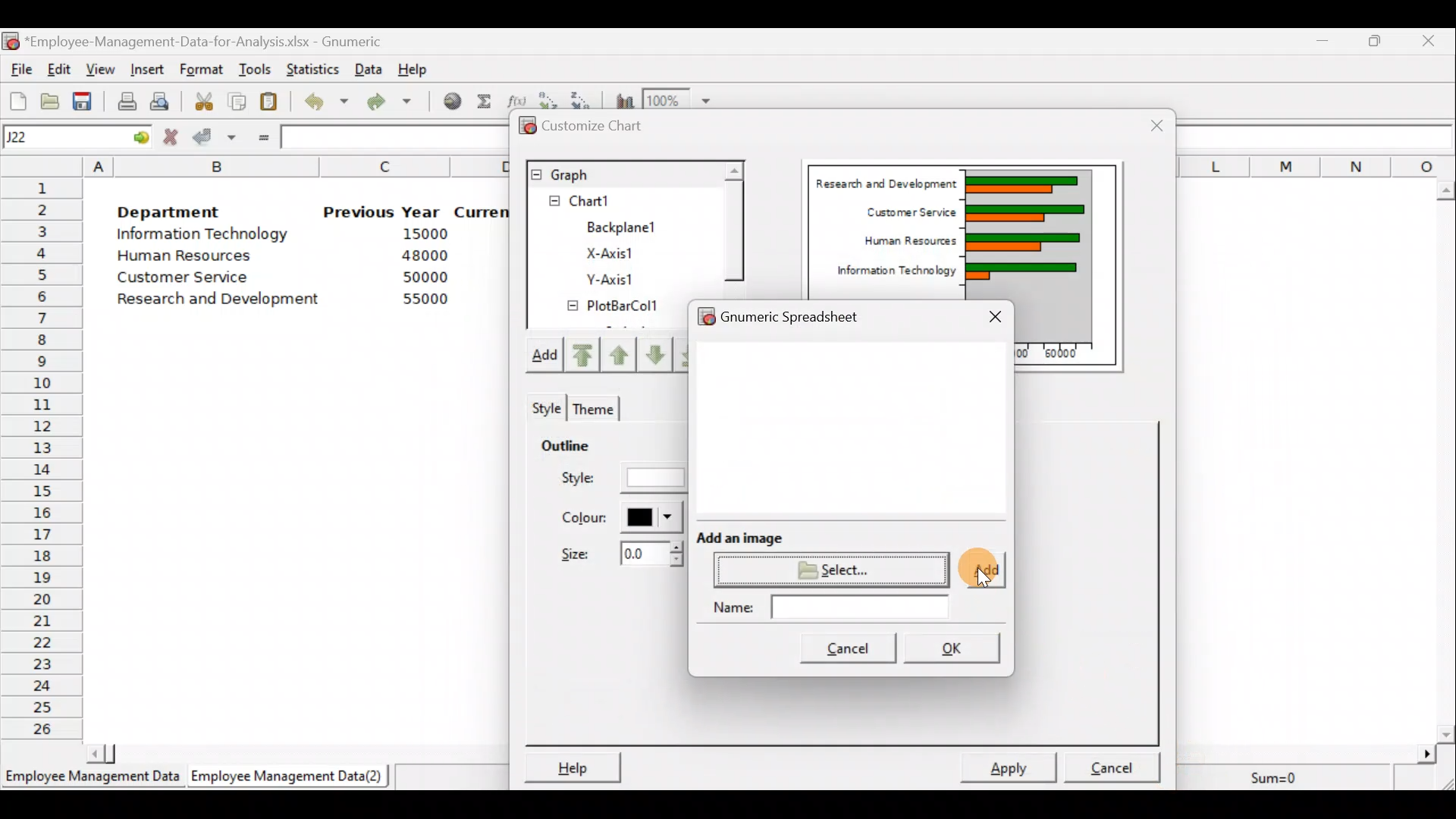  I want to click on Enter formula, so click(261, 138).